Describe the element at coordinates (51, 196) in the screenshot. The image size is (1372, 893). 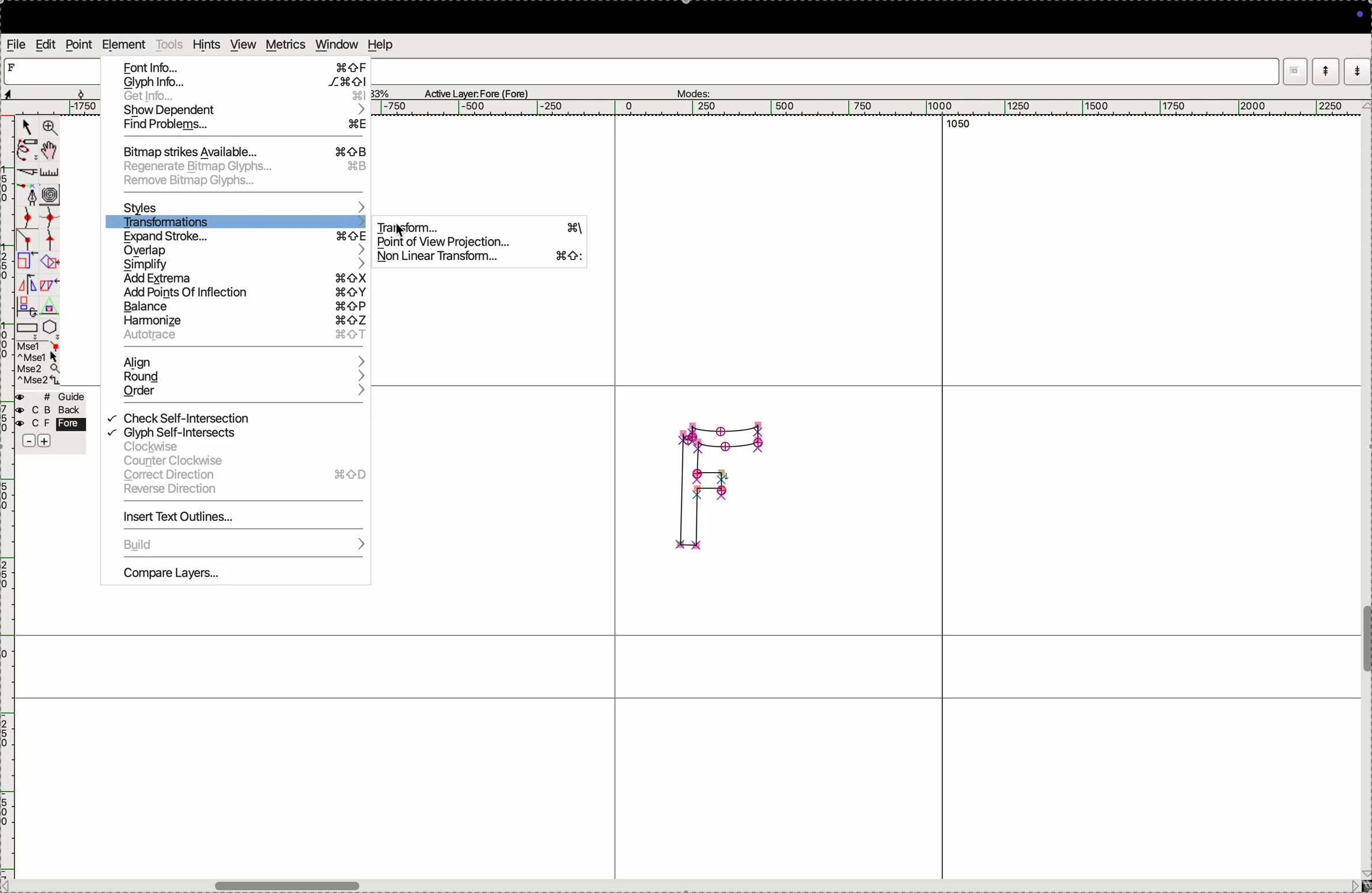
I see `curves` at that location.